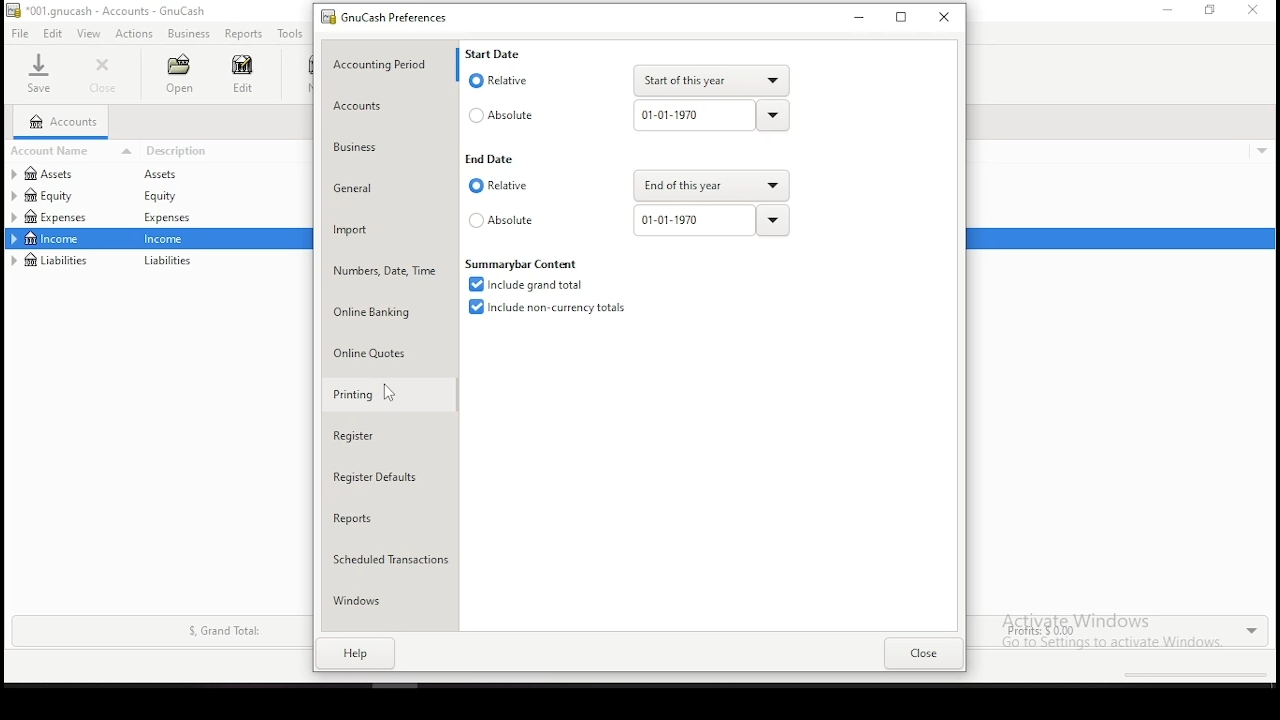 Image resolution: width=1280 pixels, height=720 pixels. What do you see at coordinates (49, 195) in the screenshot?
I see `equity` at bounding box center [49, 195].